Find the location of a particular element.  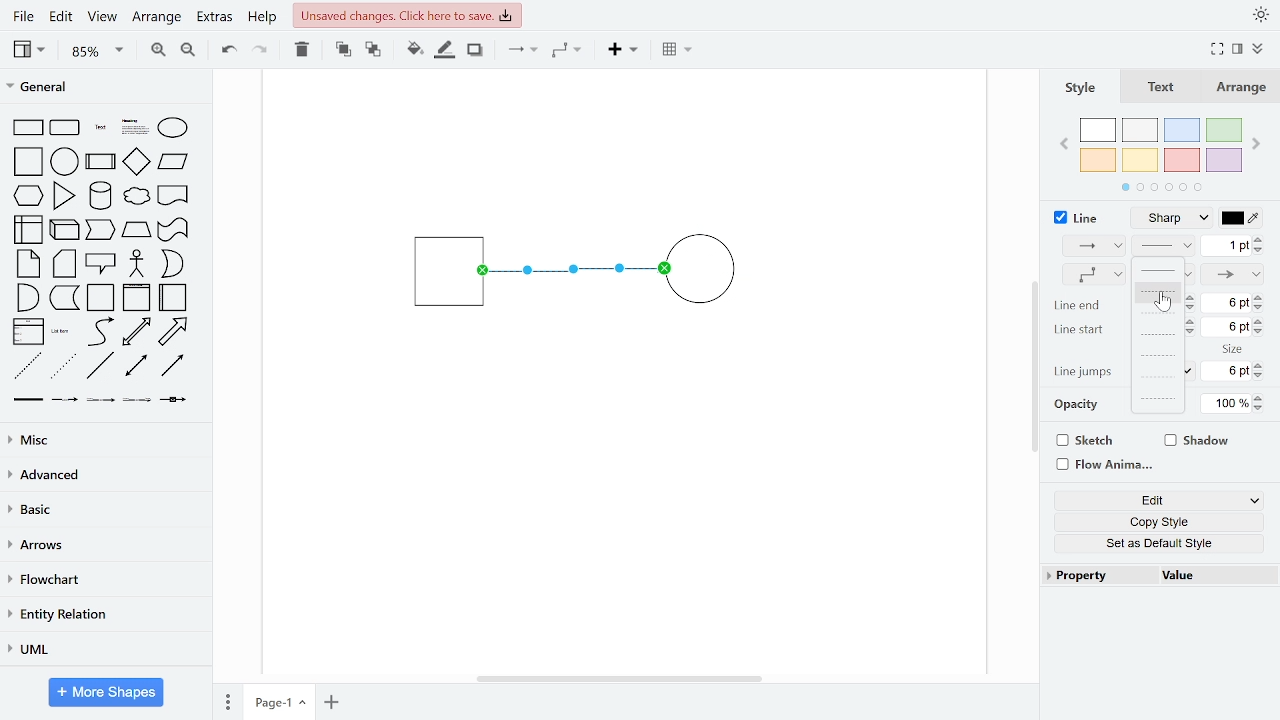

bidirectional arrow is located at coordinates (136, 332).